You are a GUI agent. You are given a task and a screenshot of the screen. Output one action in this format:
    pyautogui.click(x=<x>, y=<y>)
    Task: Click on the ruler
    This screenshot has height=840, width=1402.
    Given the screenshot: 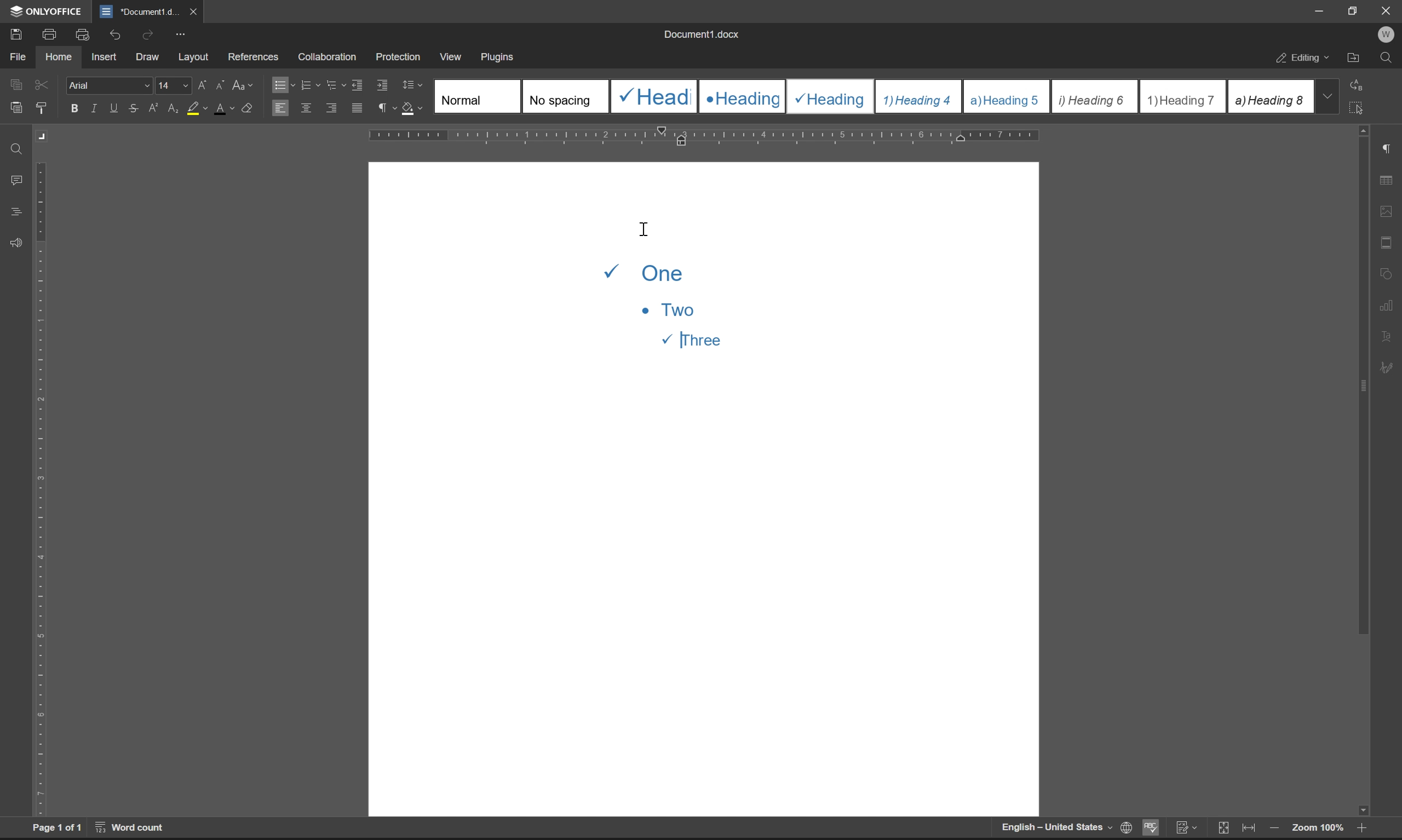 What is the action you would take?
    pyautogui.click(x=705, y=136)
    